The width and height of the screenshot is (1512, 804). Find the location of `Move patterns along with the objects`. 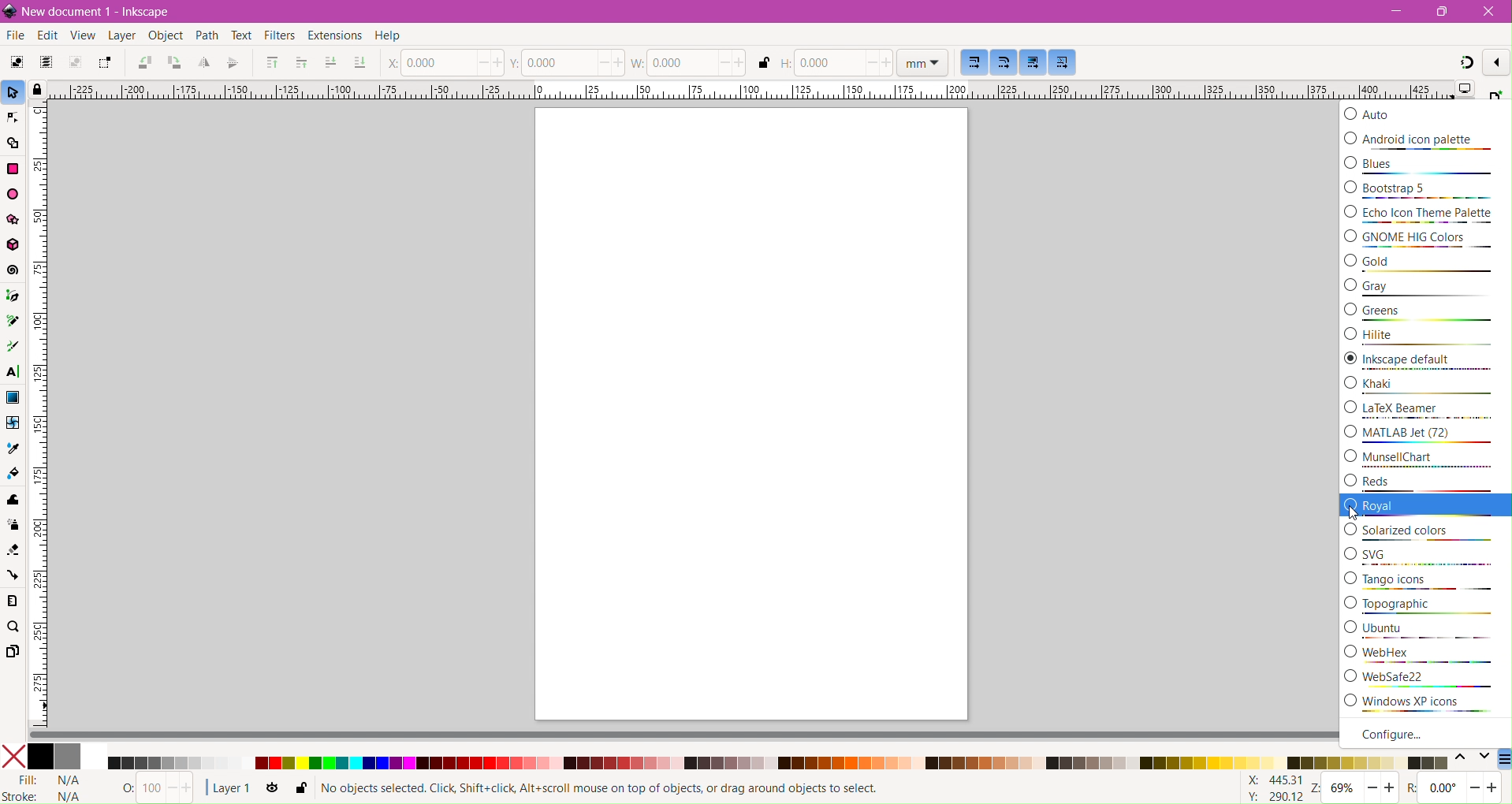

Move patterns along with the objects is located at coordinates (1063, 63).